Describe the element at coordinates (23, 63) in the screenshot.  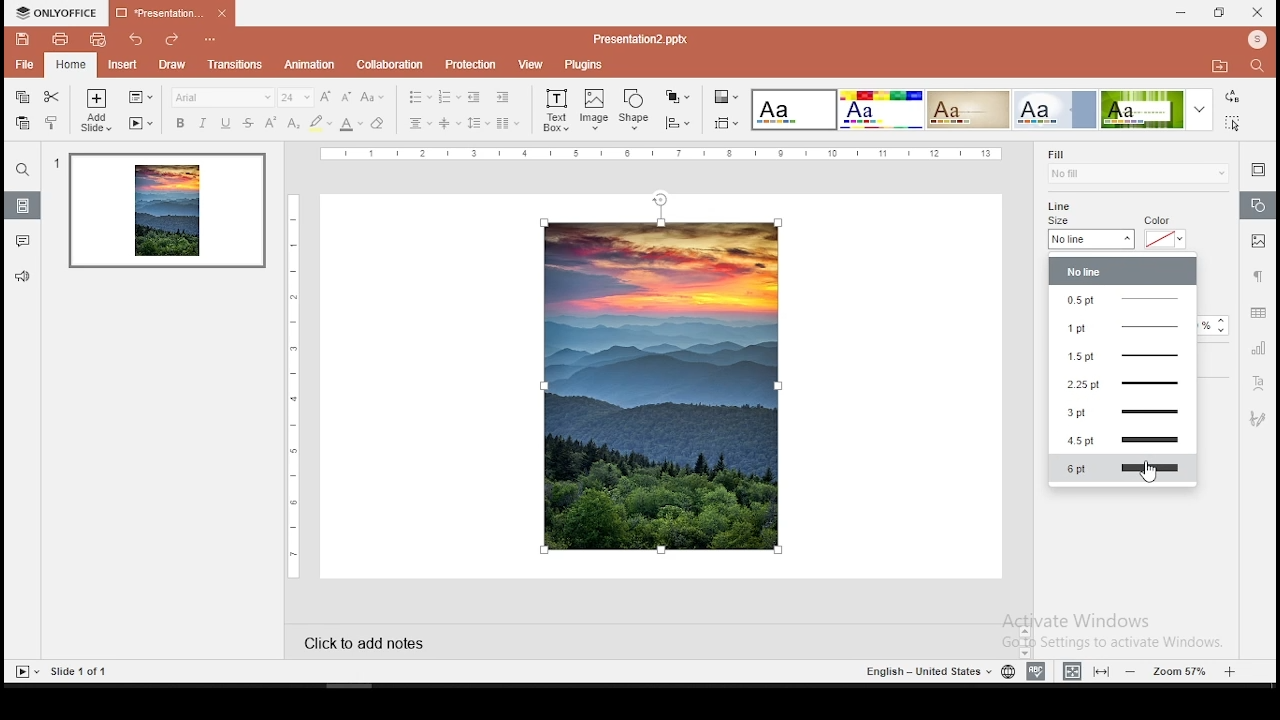
I see `file` at that location.